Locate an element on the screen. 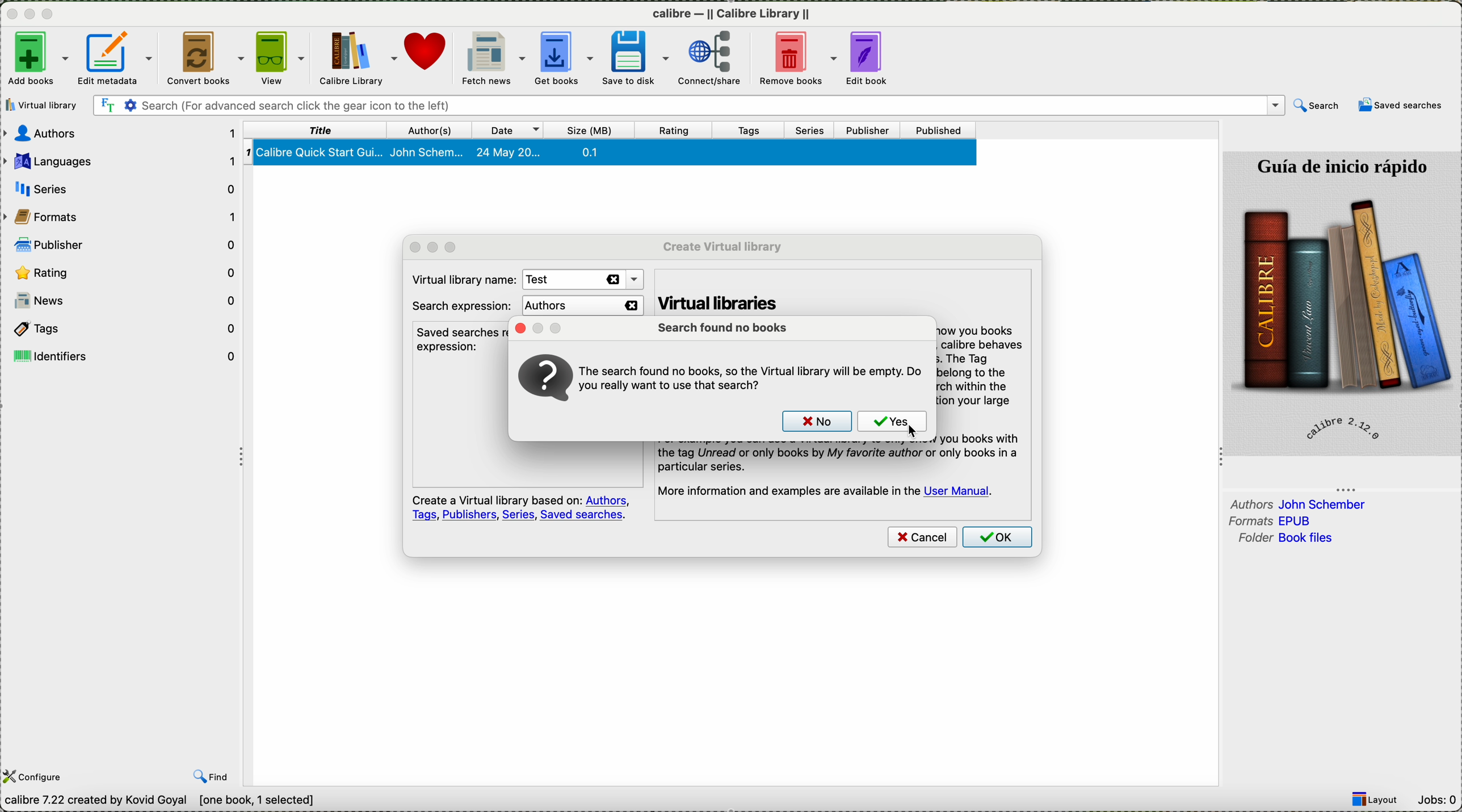 Image resolution: width=1462 pixels, height=812 pixels. minimize is located at coordinates (30, 18).